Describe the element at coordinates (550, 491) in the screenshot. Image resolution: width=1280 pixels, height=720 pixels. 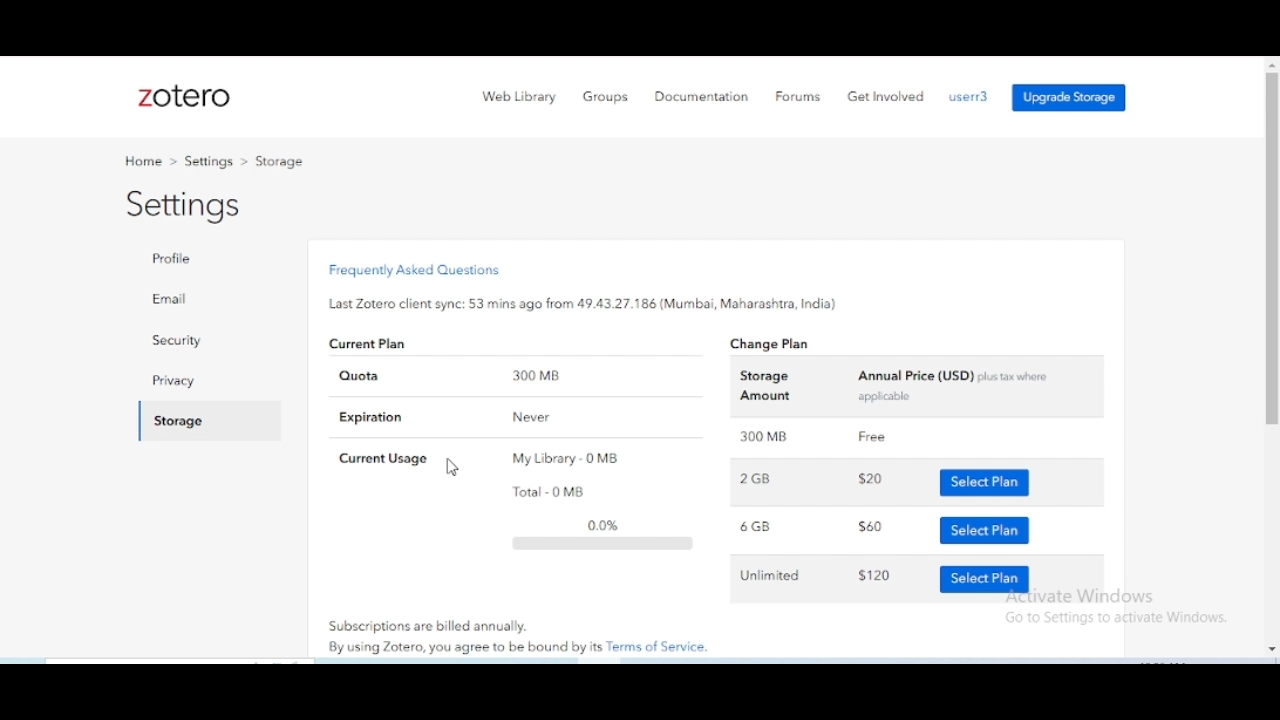
I see `total - 0 MB` at that location.